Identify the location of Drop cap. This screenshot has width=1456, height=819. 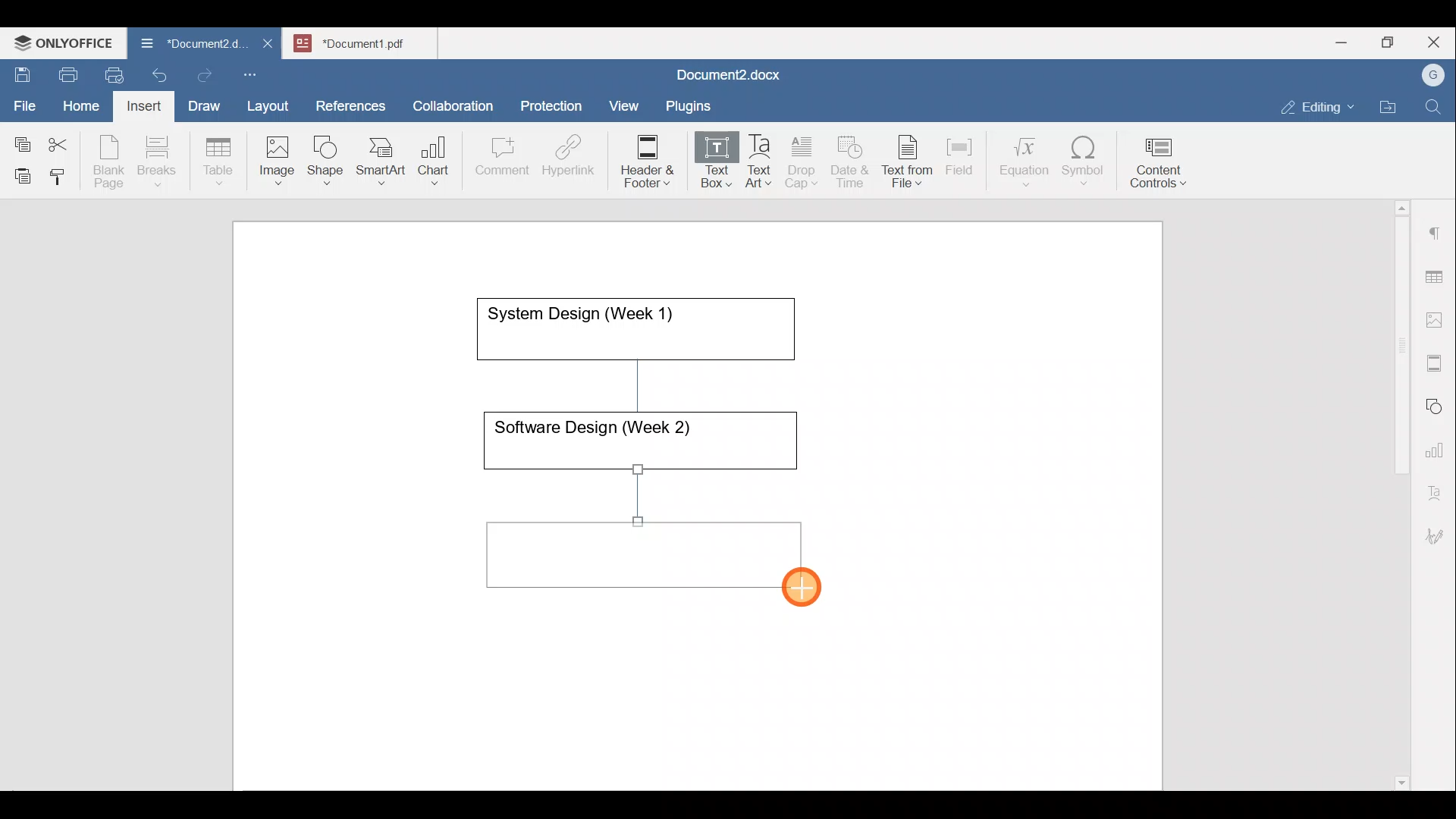
(805, 160).